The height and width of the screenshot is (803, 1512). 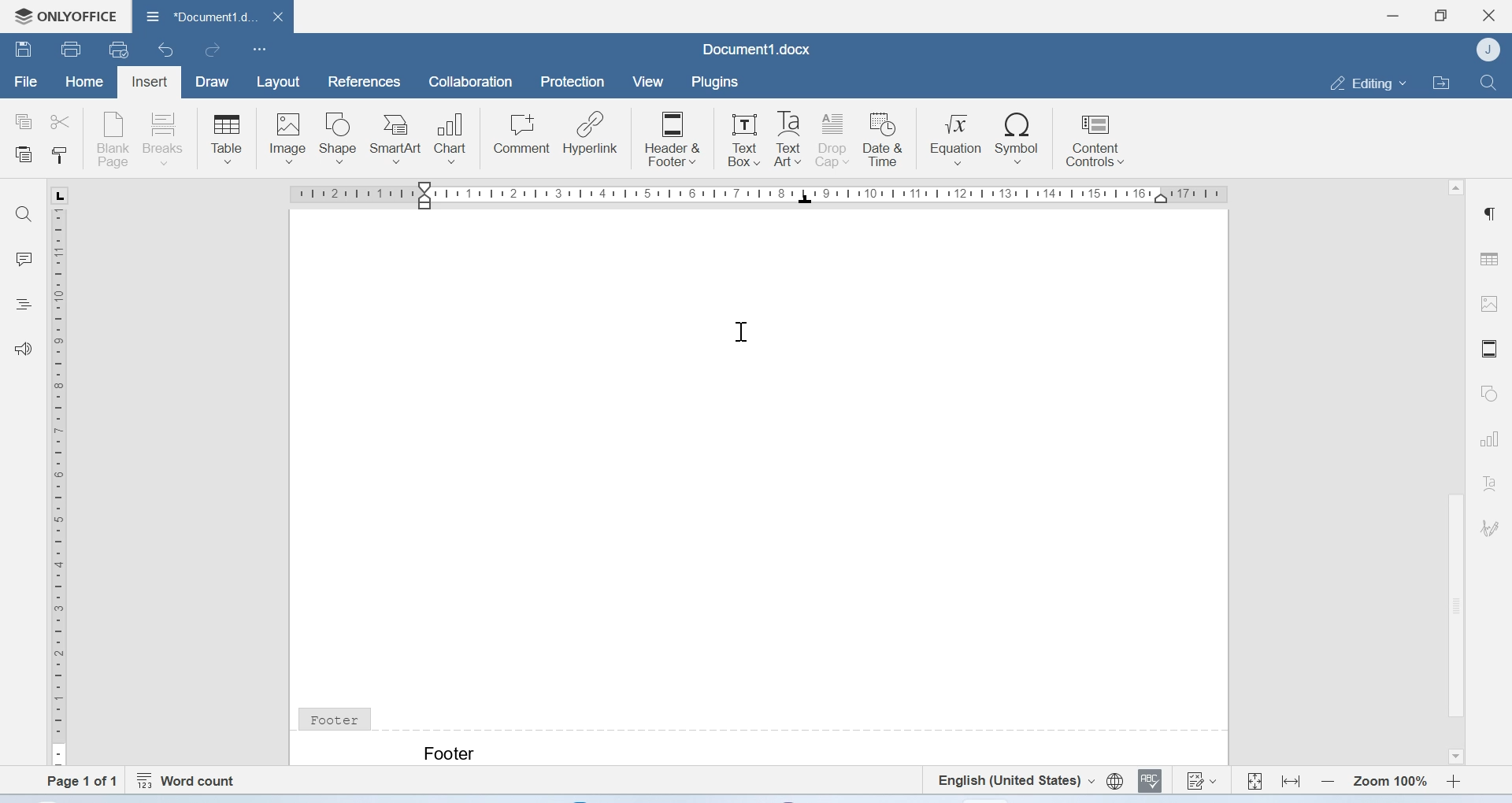 What do you see at coordinates (1488, 82) in the screenshot?
I see `Find` at bounding box center [1488, 82].